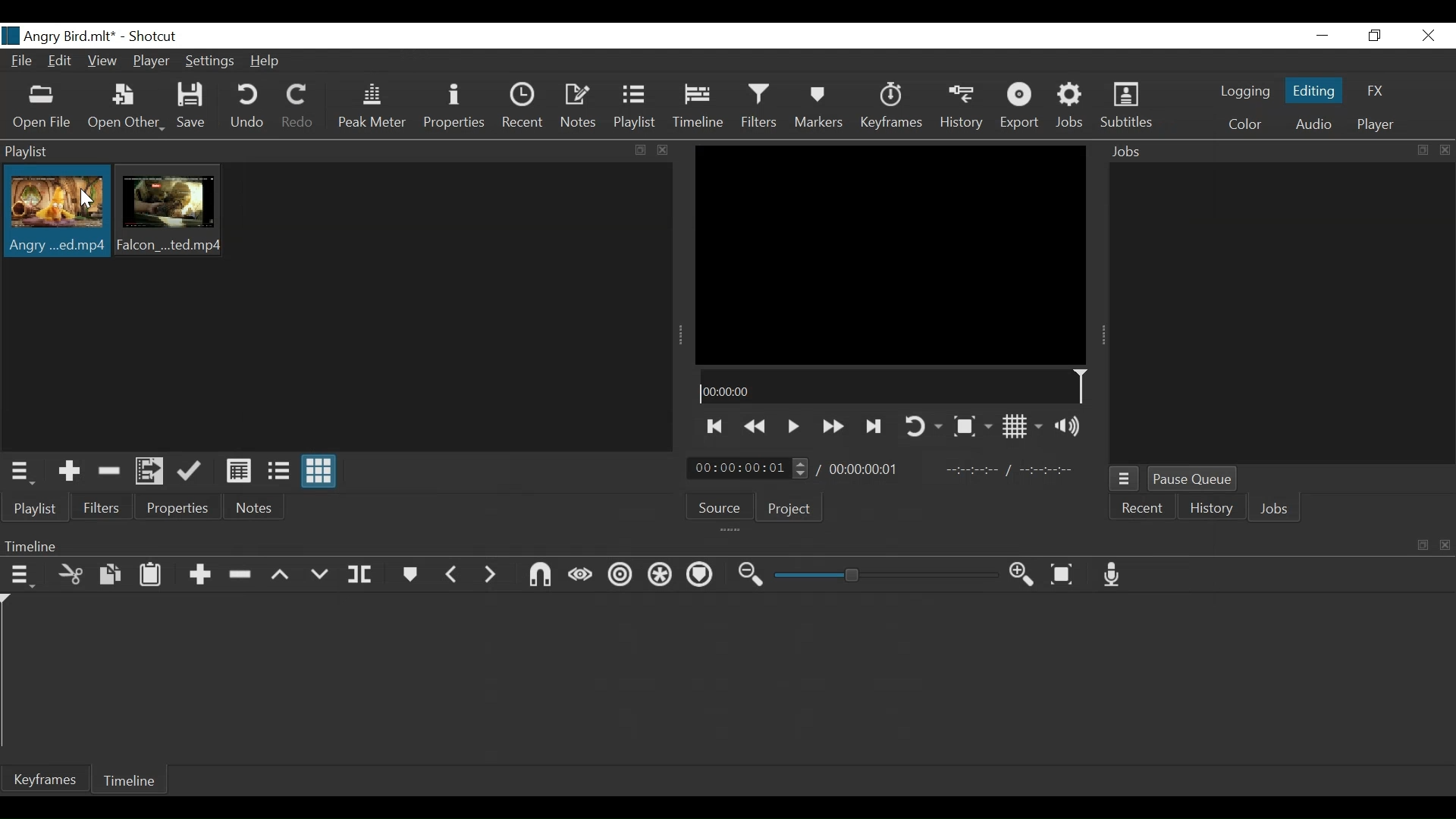 The width and height of the screenshot is (1456, 819). What do you see at coordinates (112, 575) in the screenshot?
I see `Copy` at bounding box center [112, 575].